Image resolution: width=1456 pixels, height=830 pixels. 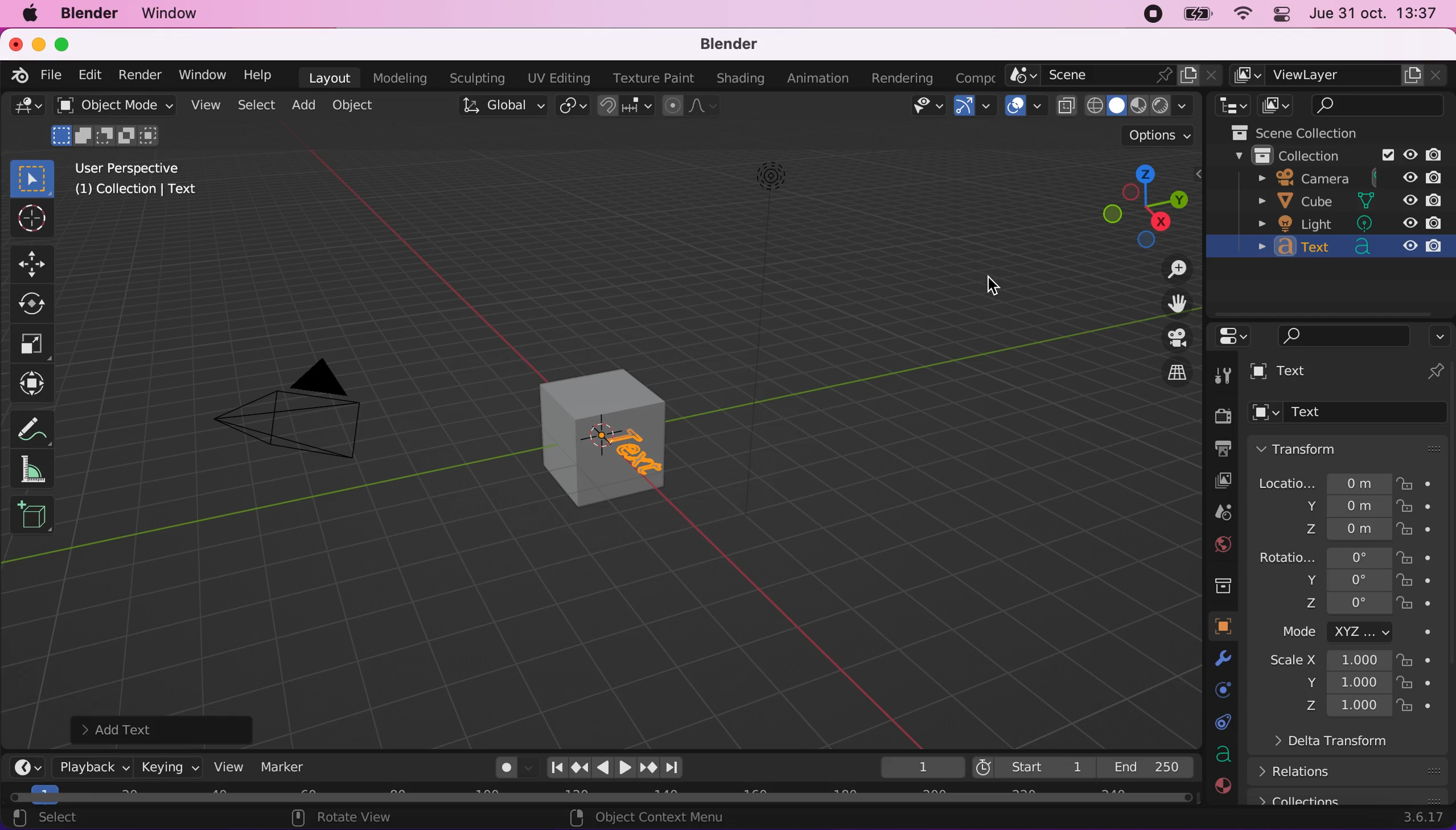 I want to click on auto keying, so click(x=501, y=768).